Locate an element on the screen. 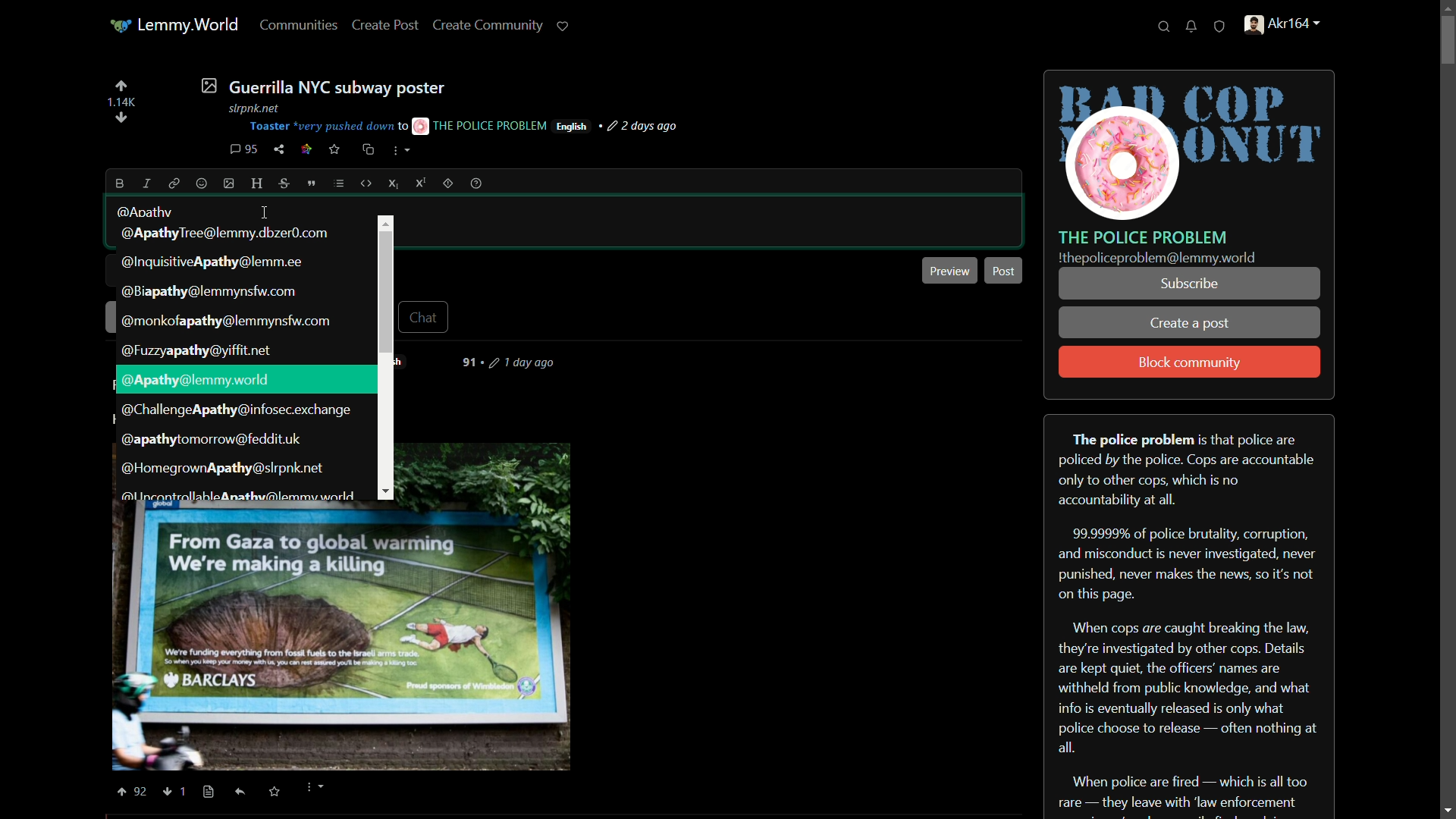 This screenshot has width=1456, height=819. scroll up is located at coordinates (1442, 9).